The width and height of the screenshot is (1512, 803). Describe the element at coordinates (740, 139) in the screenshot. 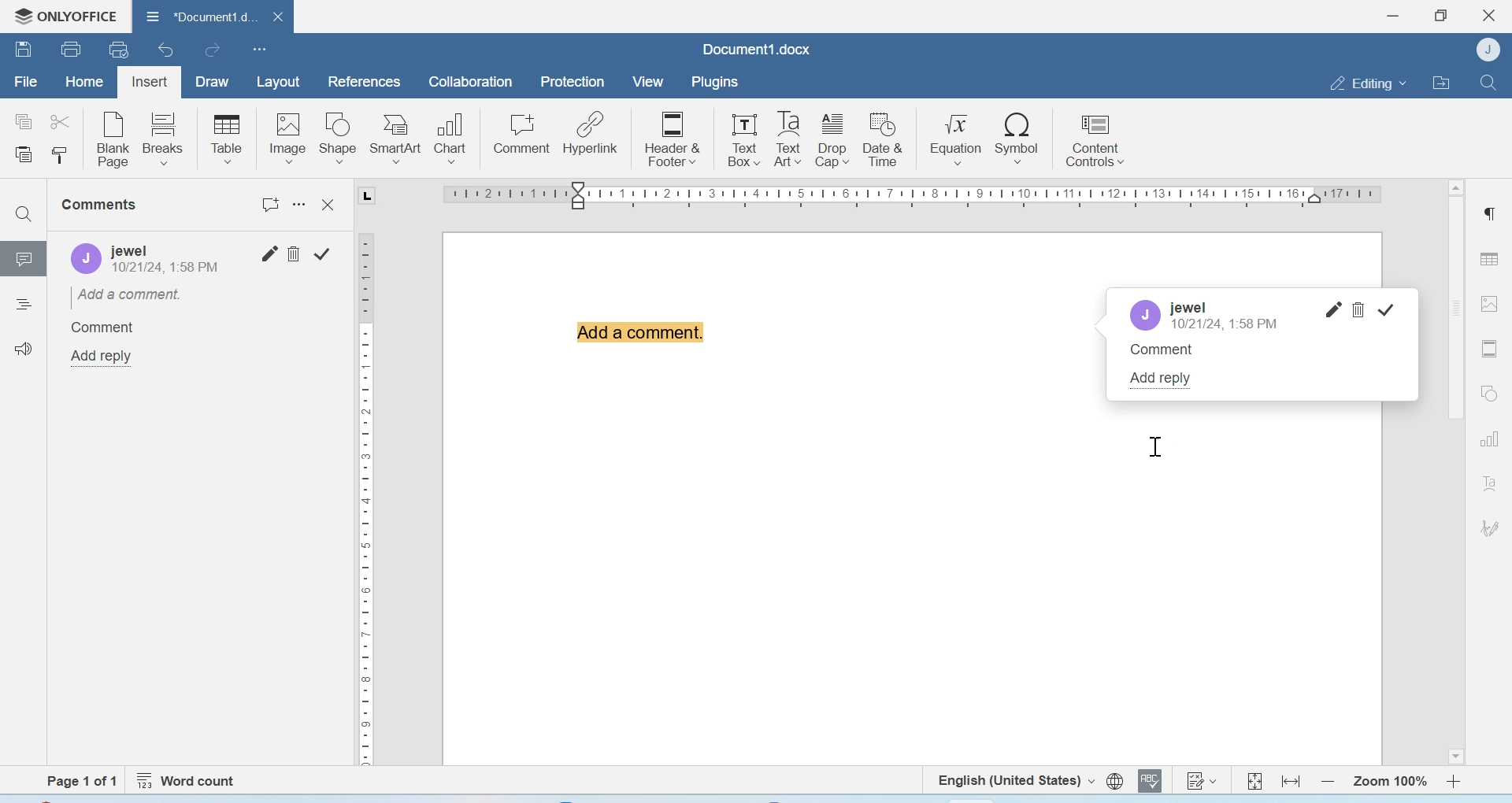

I see `Text Box` at that location.